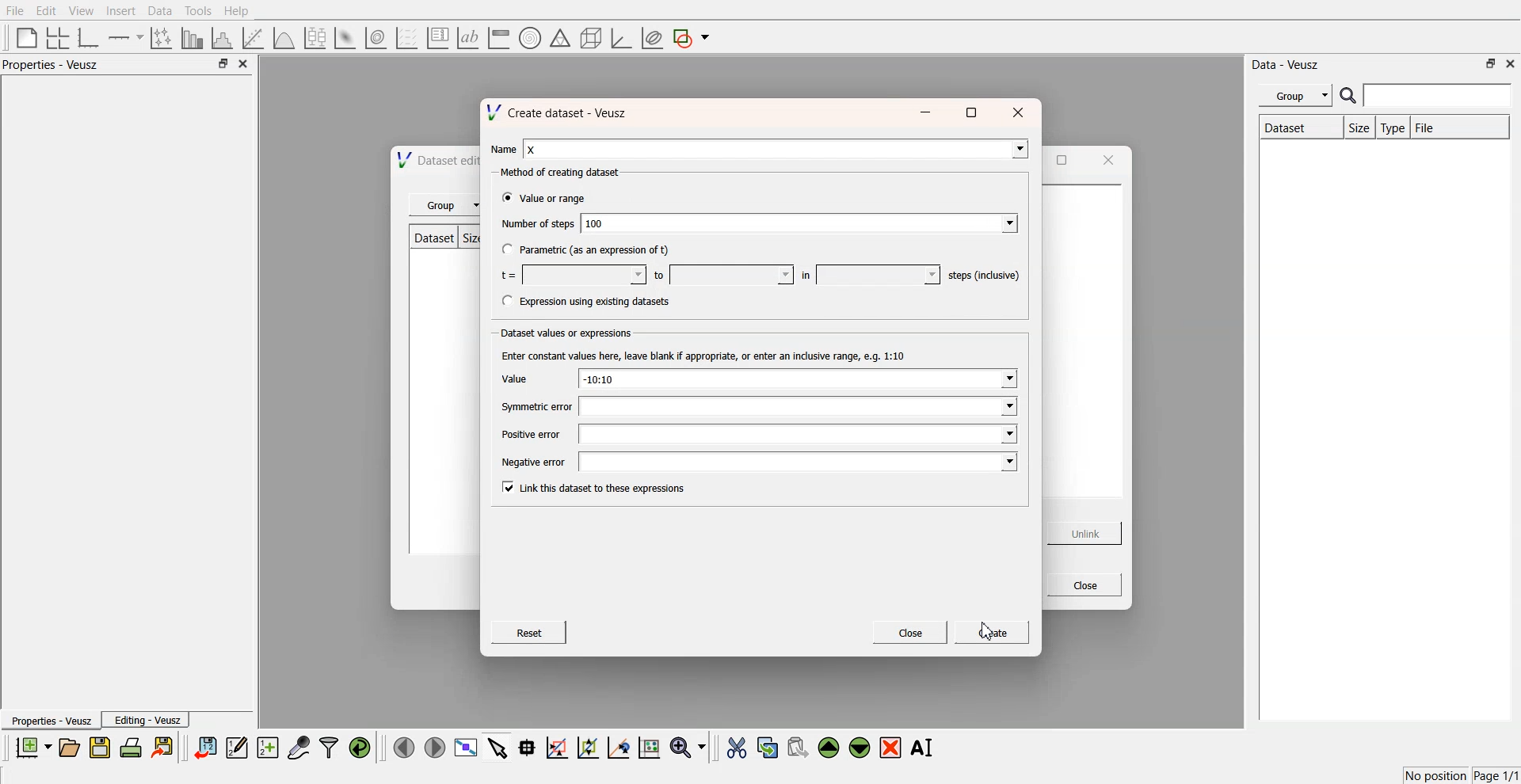  I want to click on zoom funtions, so click(688, 748).